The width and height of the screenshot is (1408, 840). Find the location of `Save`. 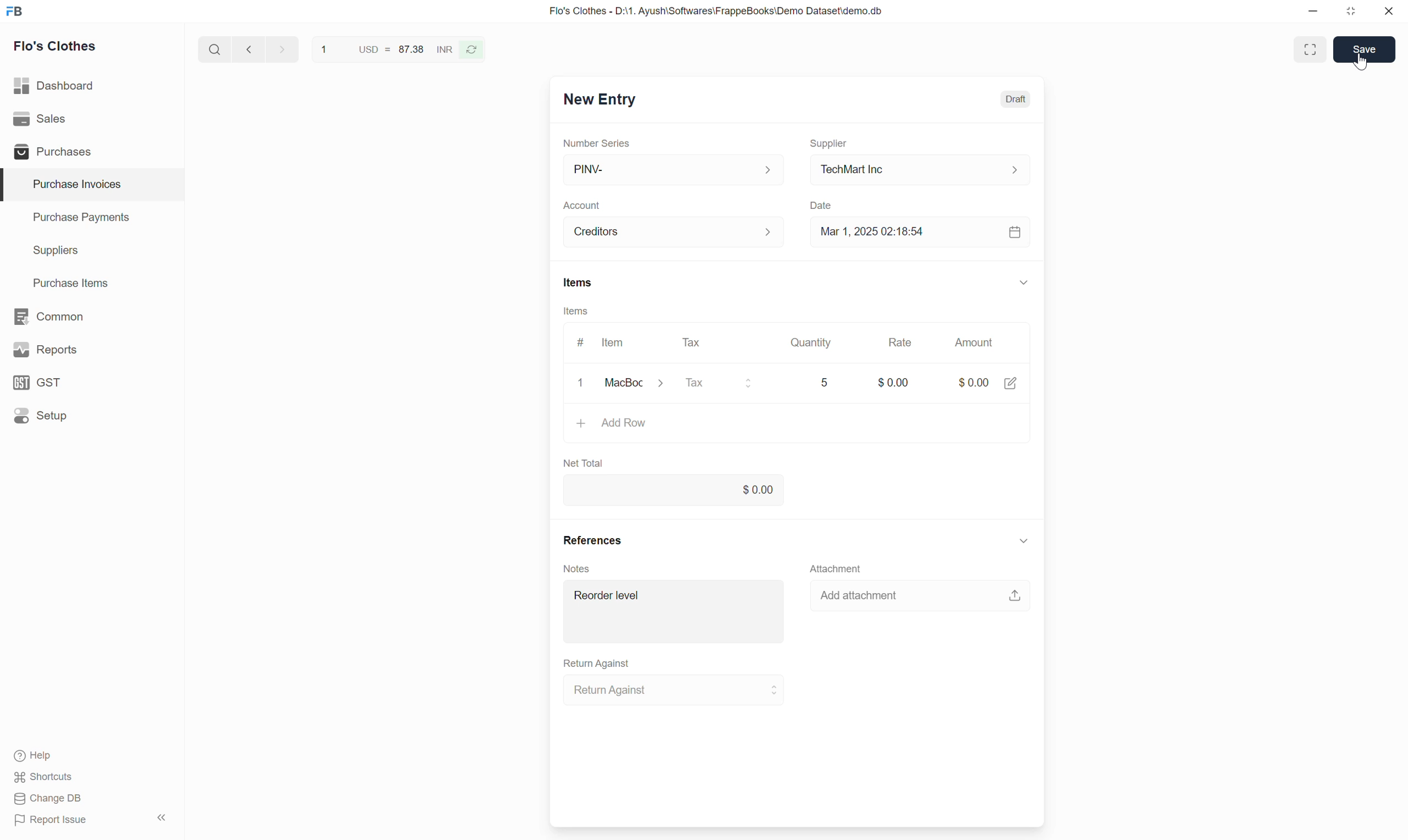

Save is located at coordinates (1364, 49).